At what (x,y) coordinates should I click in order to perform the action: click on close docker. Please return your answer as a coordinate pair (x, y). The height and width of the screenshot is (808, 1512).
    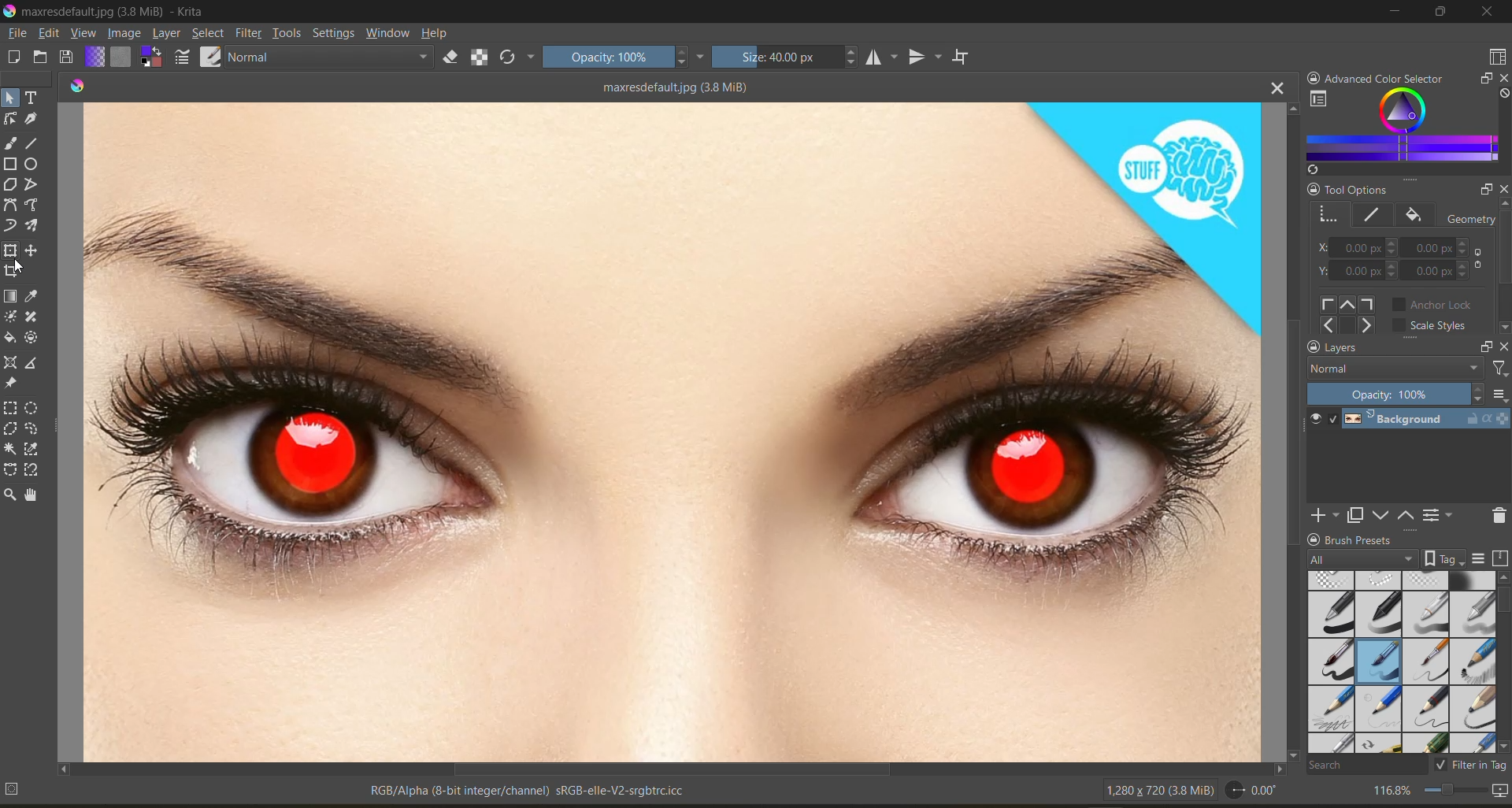
    Looking at the image, I should click on (1503, 345).